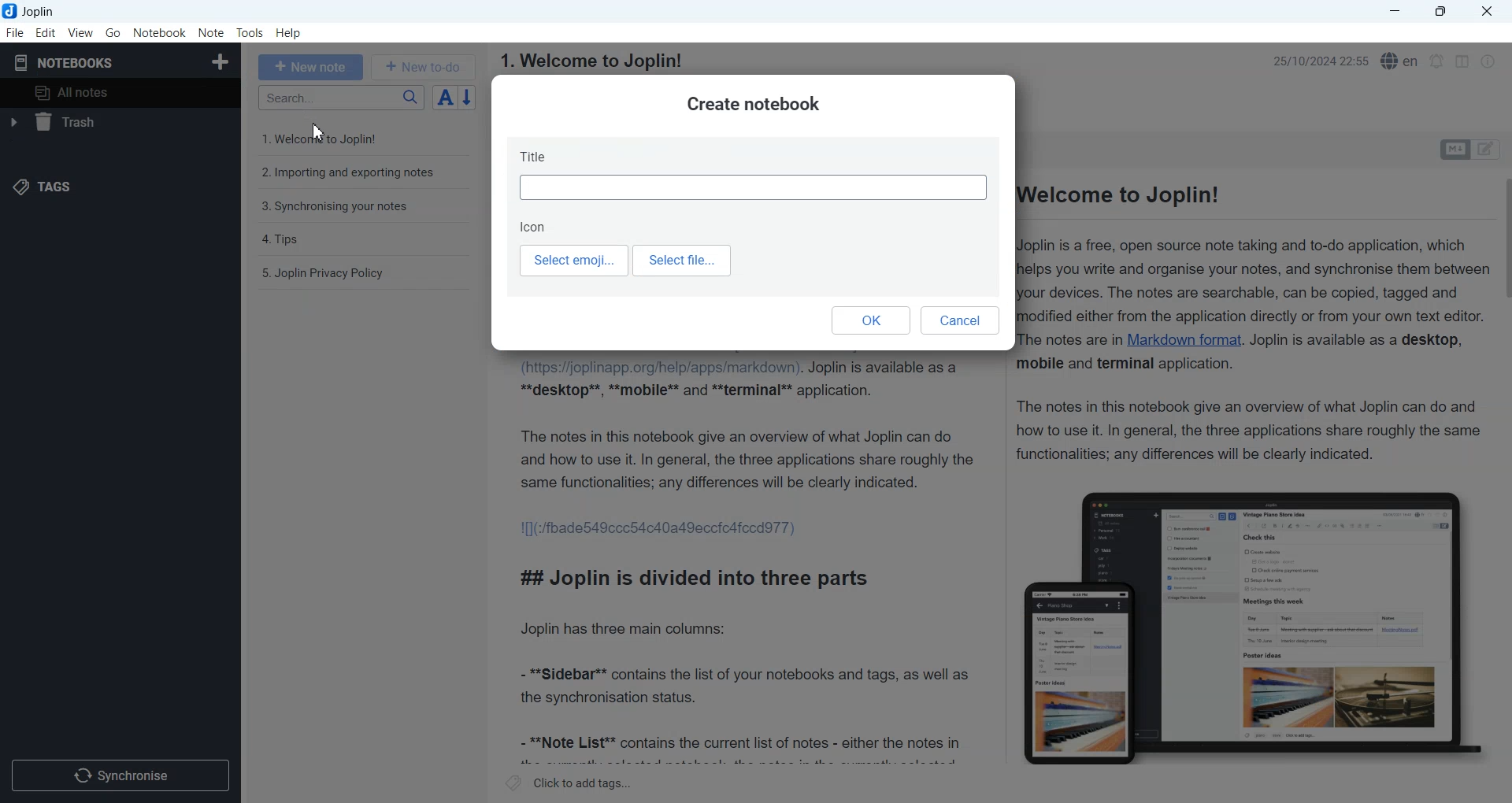  What do you see at coordinates (1395, 12) in the screenshot?
I see `Minimize` at bounding box center [1395, 12].